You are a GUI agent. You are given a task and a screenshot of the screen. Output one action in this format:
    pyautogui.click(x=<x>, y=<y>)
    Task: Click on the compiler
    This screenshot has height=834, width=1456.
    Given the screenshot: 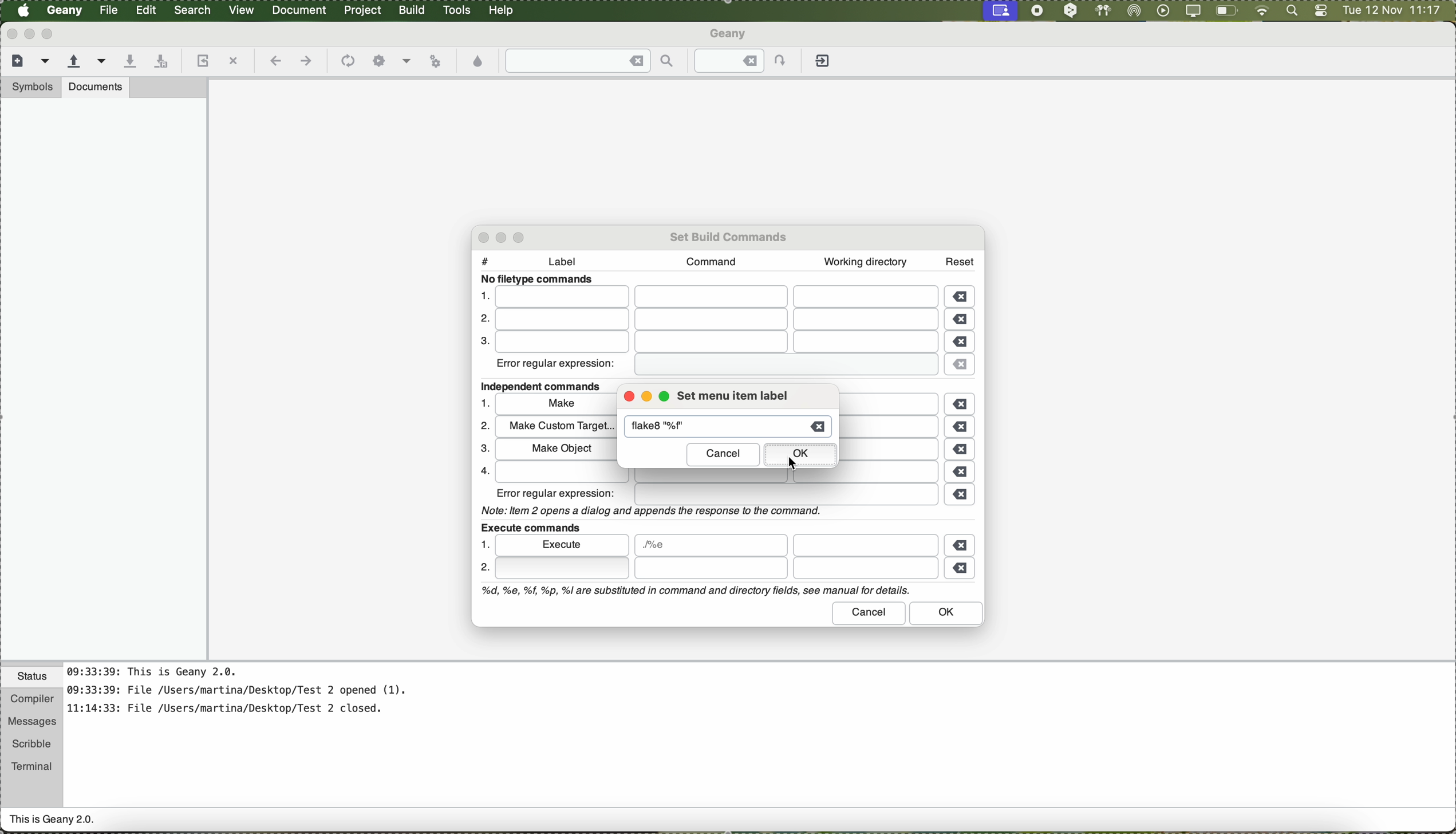 What is the action you would take?
    pyautogui.click(x=31, y=700)
    